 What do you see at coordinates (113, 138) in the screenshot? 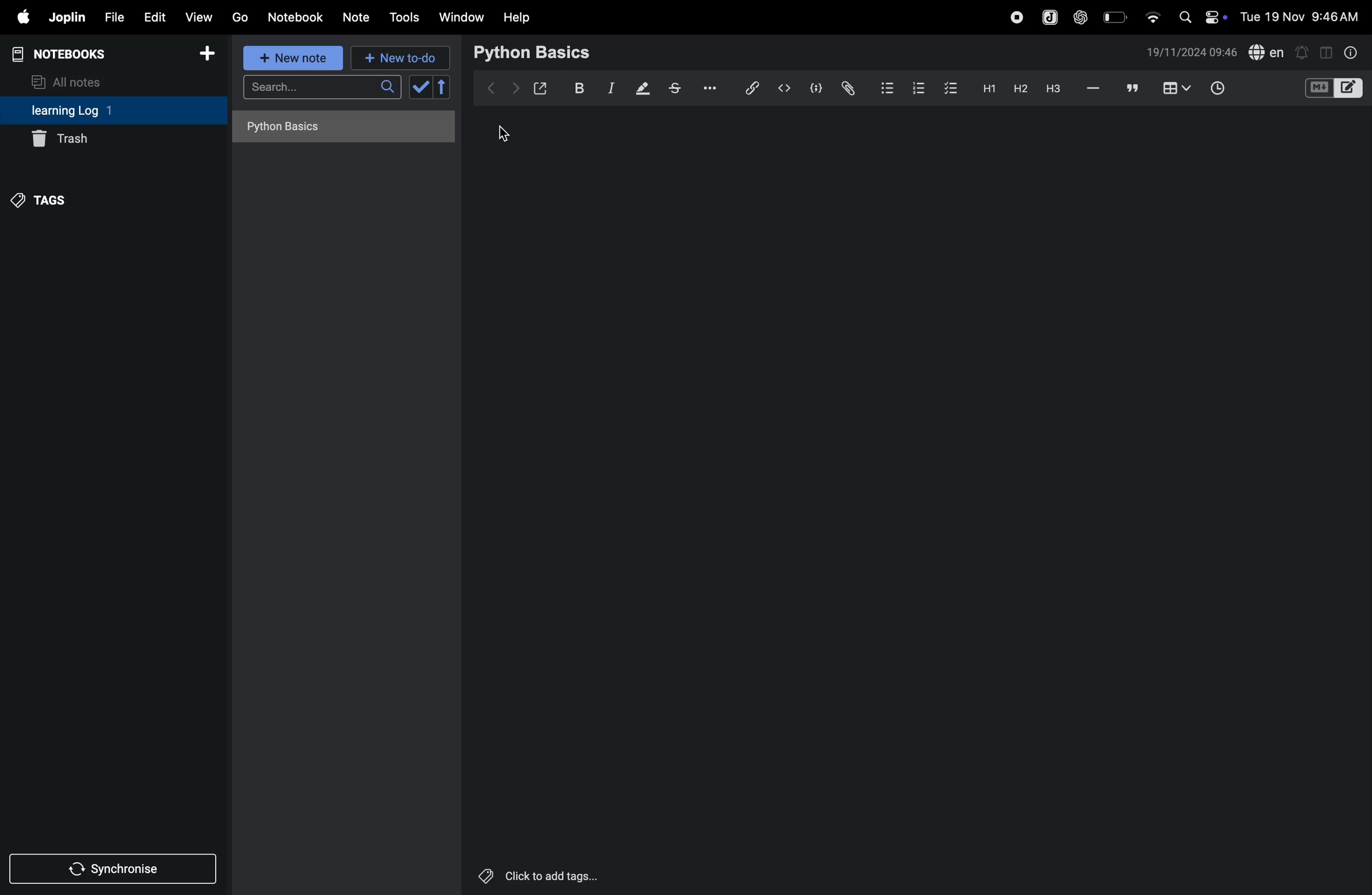
I see `trash` at bounding box center [113, 138].